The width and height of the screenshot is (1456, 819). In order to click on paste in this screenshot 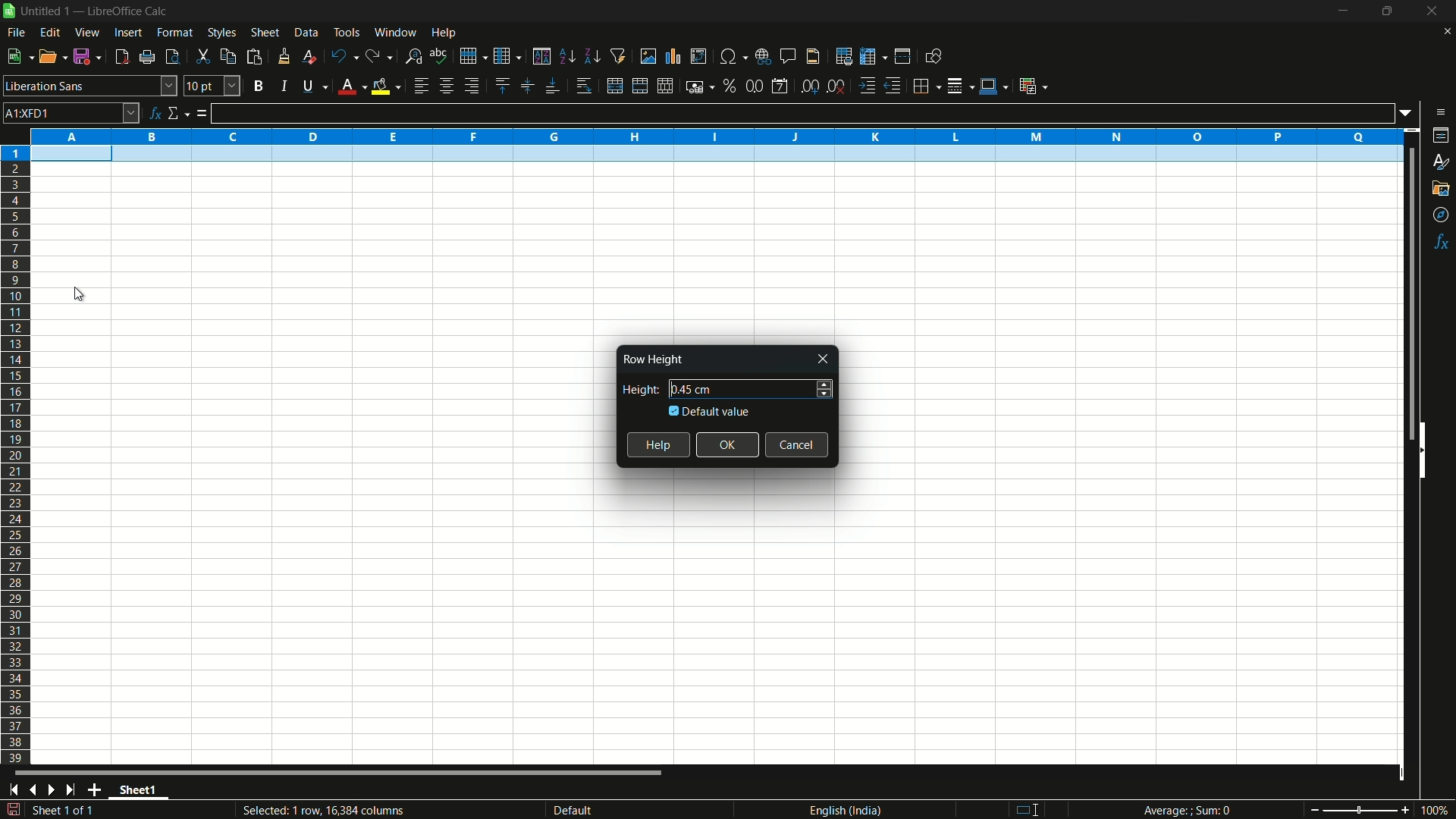, I will do `click(254, 57)`.